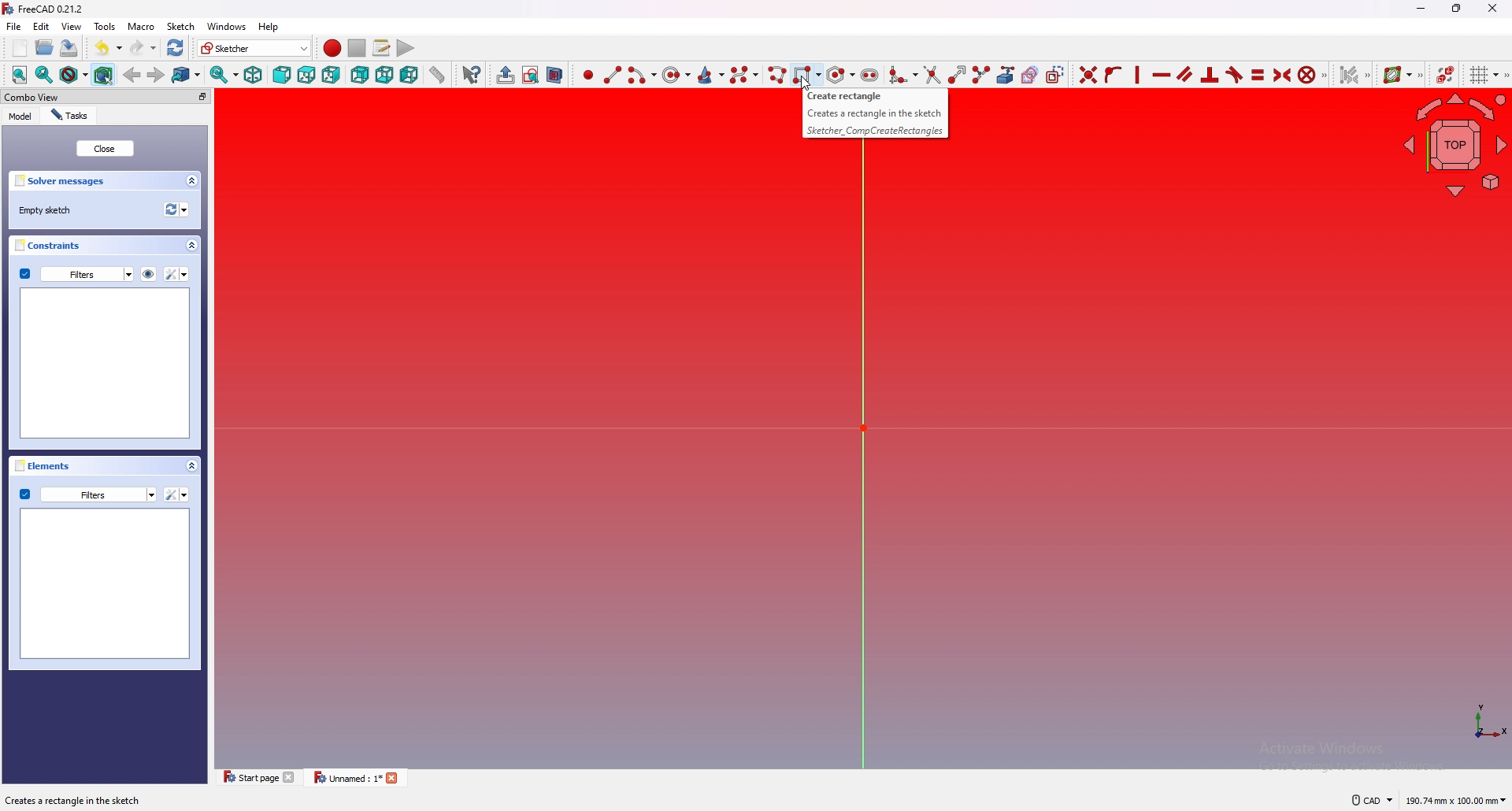 The width and height of the screenshot is (1512, 811). I want to click on file, so click(14, 26).